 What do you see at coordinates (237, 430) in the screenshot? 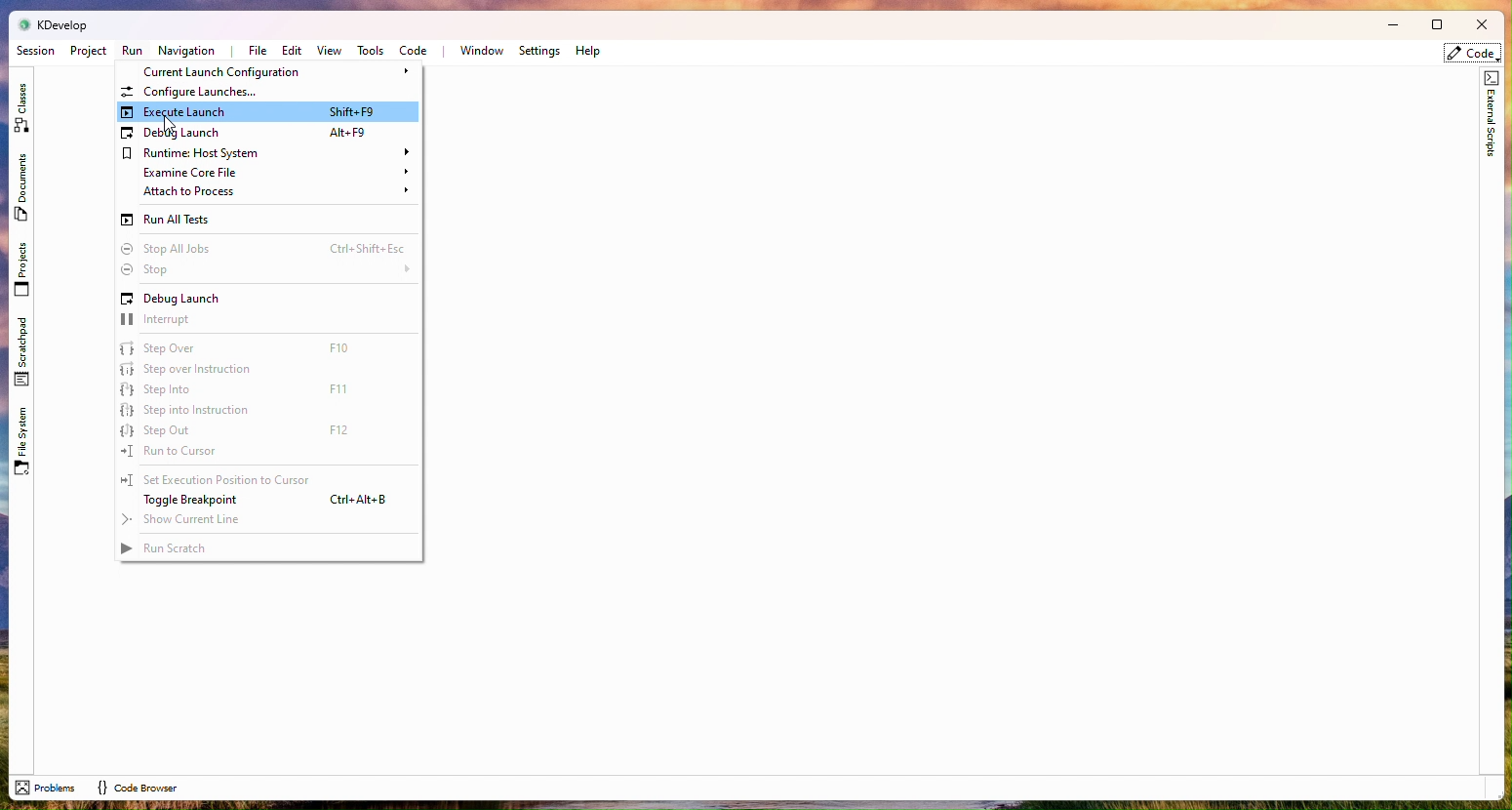
I see `Step out` at bounding box center [237, 430].